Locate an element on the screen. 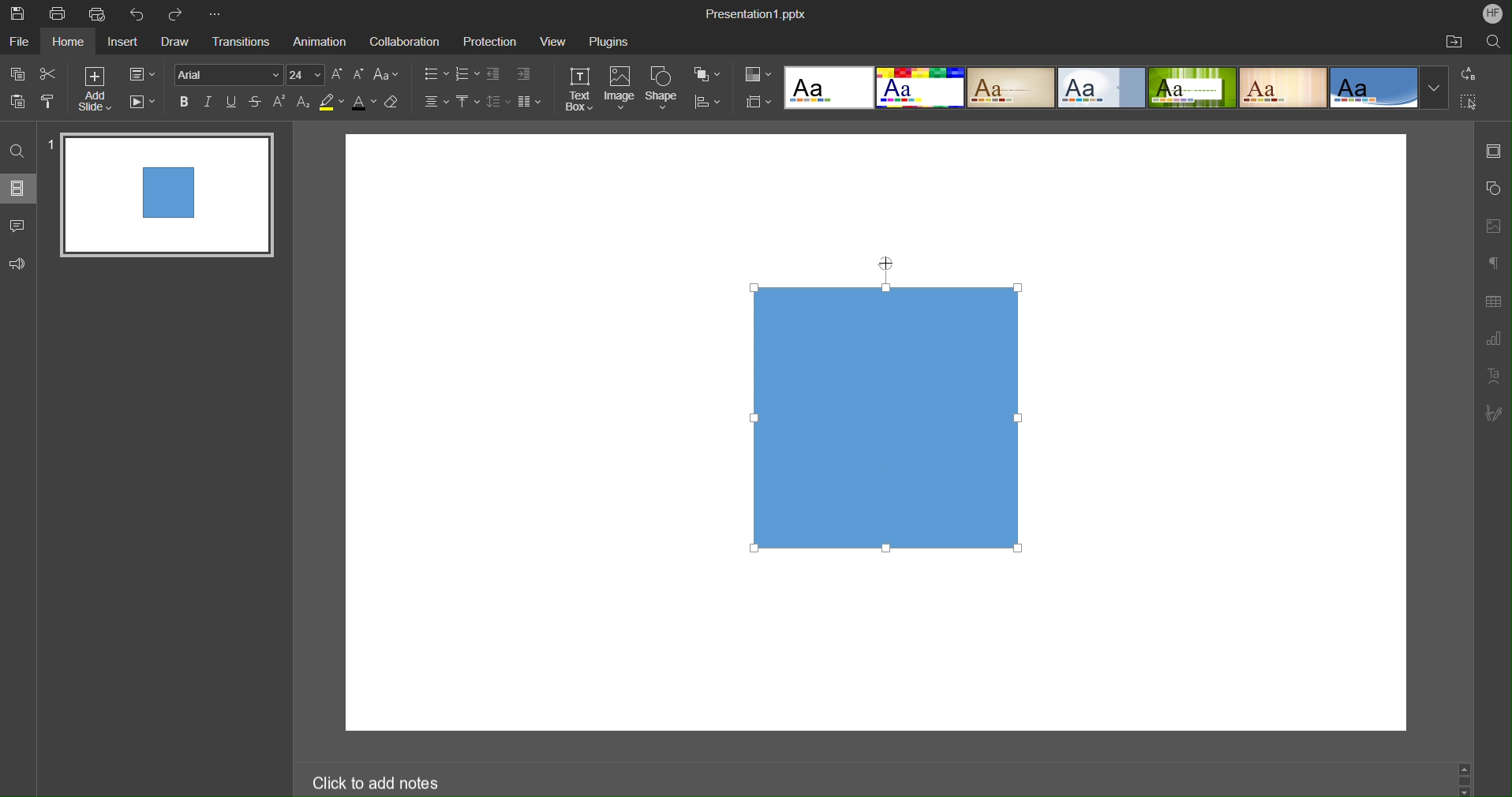 The height and width of the screenshot is (797, 1512). Presentation Template is located at coordinates (1110, 89).